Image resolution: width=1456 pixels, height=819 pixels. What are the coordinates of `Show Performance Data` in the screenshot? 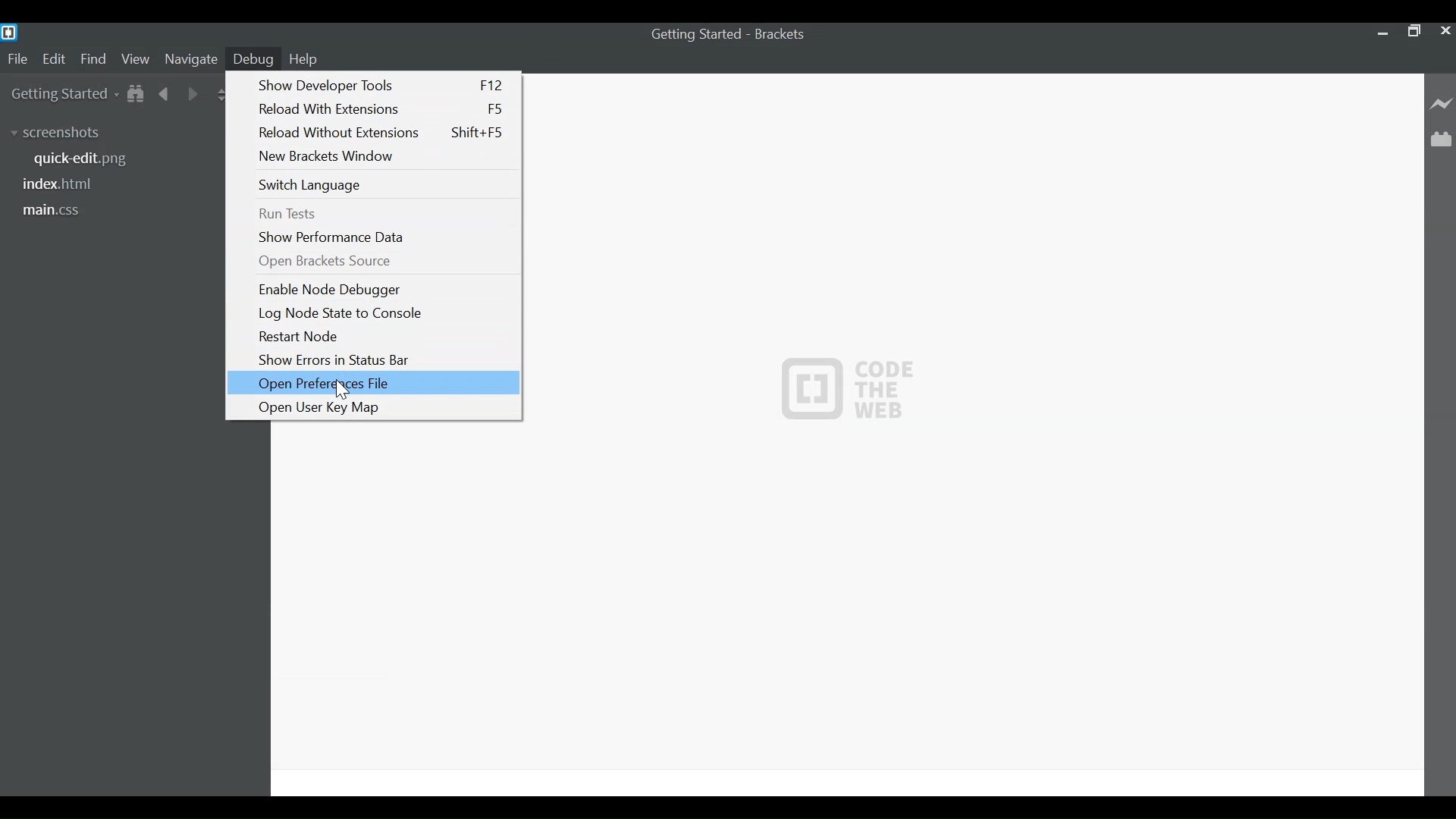 It's located at (383, 237).